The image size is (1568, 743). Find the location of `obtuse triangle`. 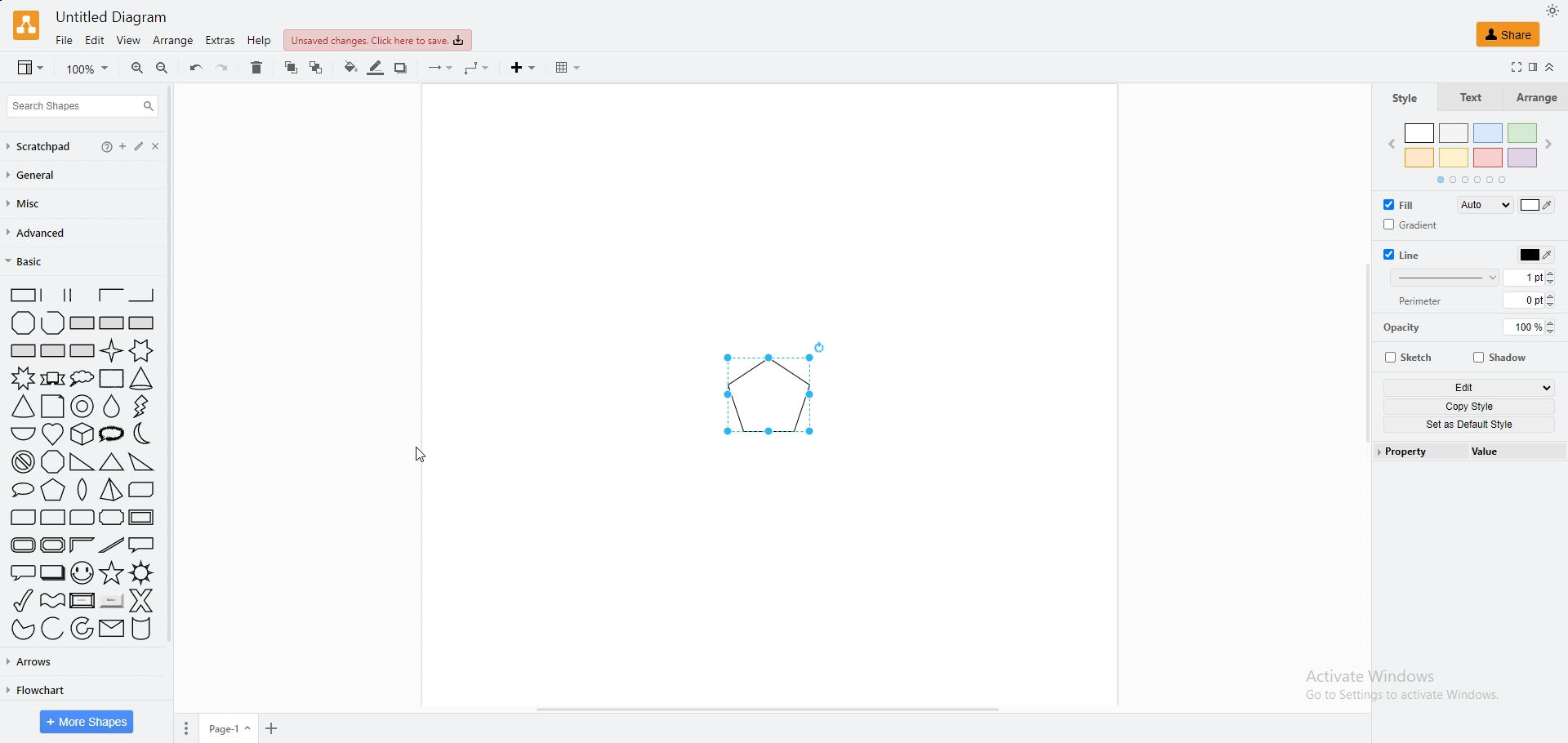

obtuse triangle is located at coordinates (142, 461).